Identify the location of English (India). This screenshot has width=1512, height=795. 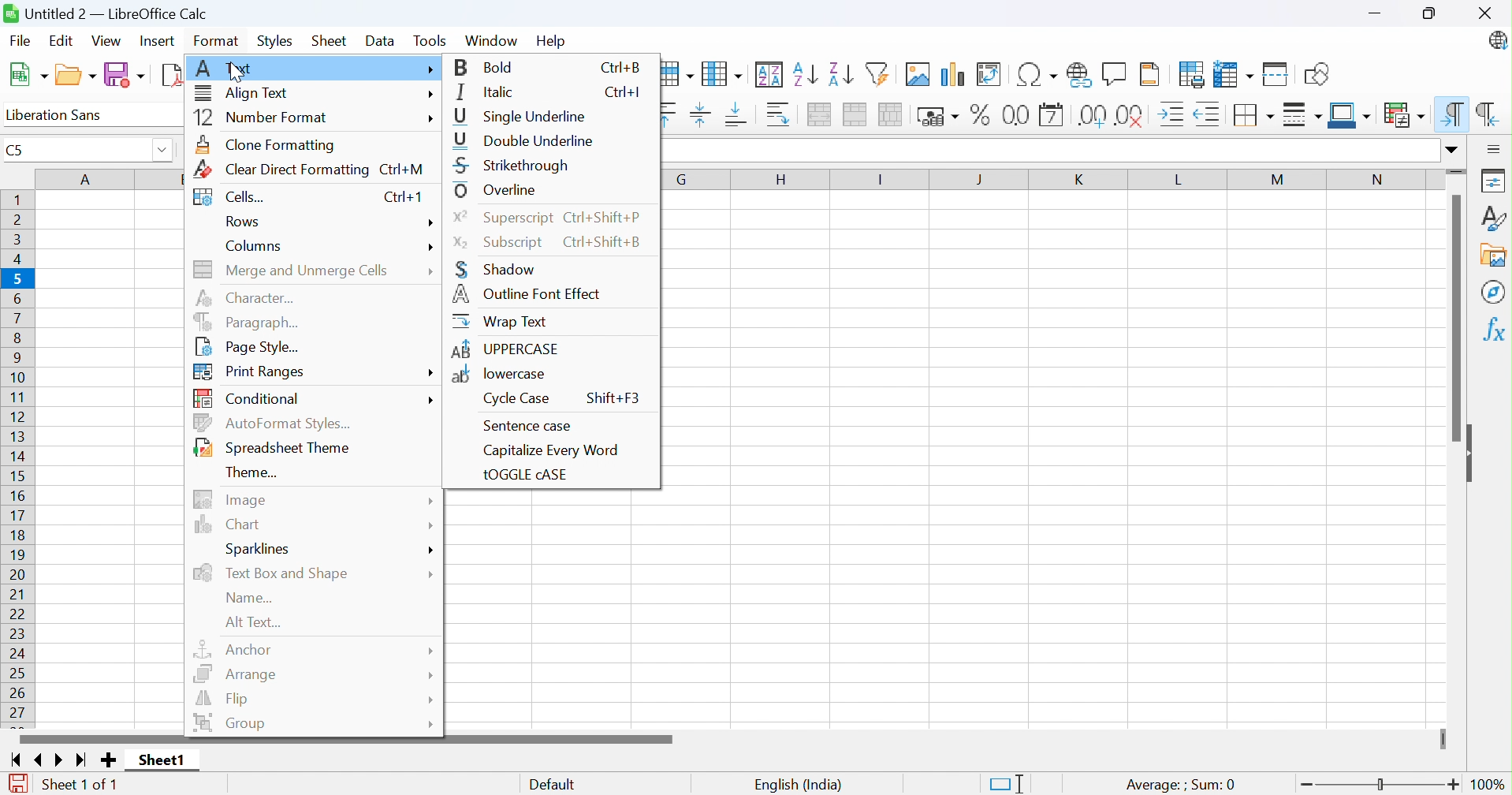
(799, 786).